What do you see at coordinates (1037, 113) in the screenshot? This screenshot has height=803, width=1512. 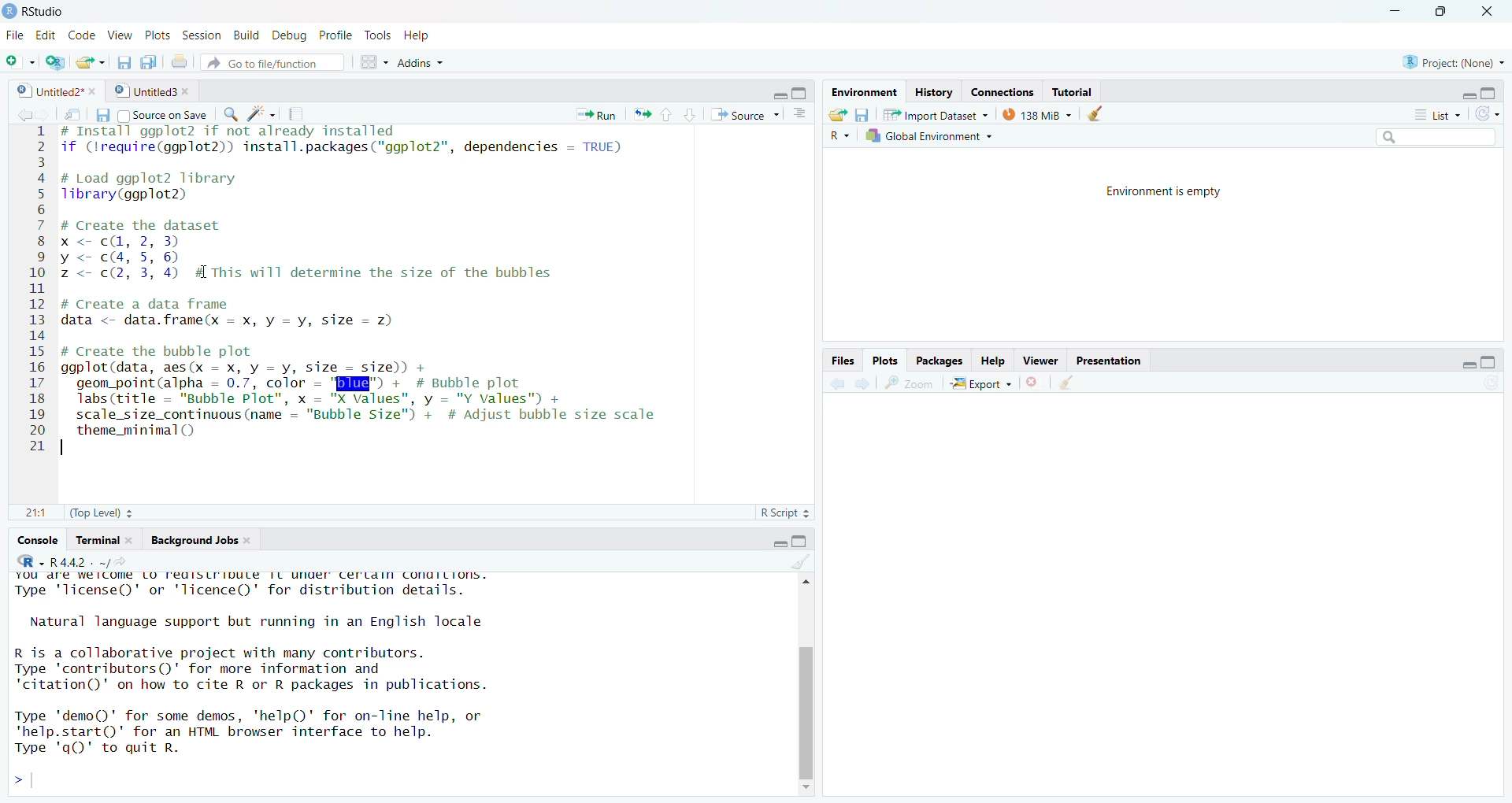 I see `138 MB` at bounding box center [1037, 113].